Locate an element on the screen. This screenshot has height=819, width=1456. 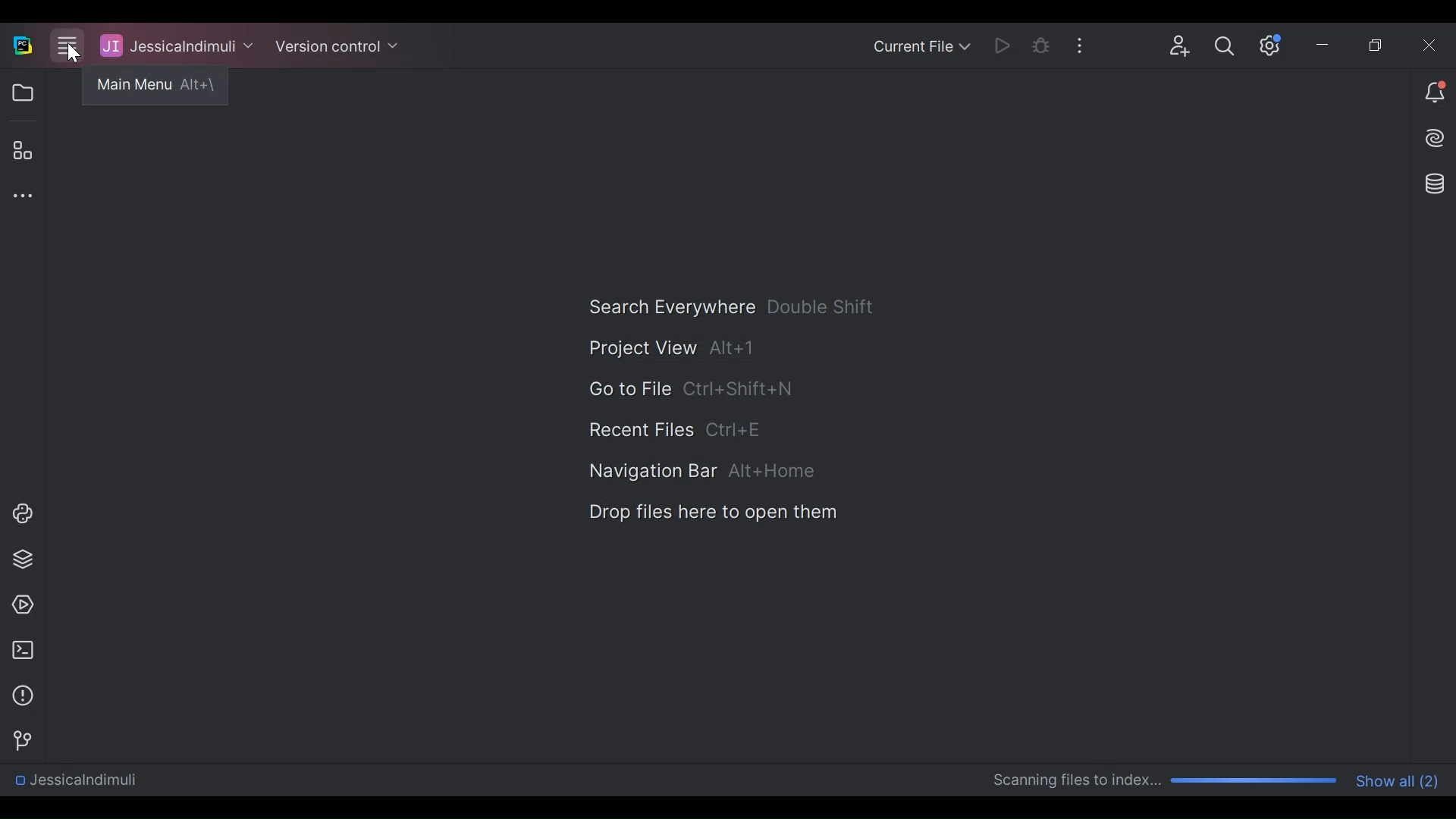
Cursor is located at coordinates (71, 52).